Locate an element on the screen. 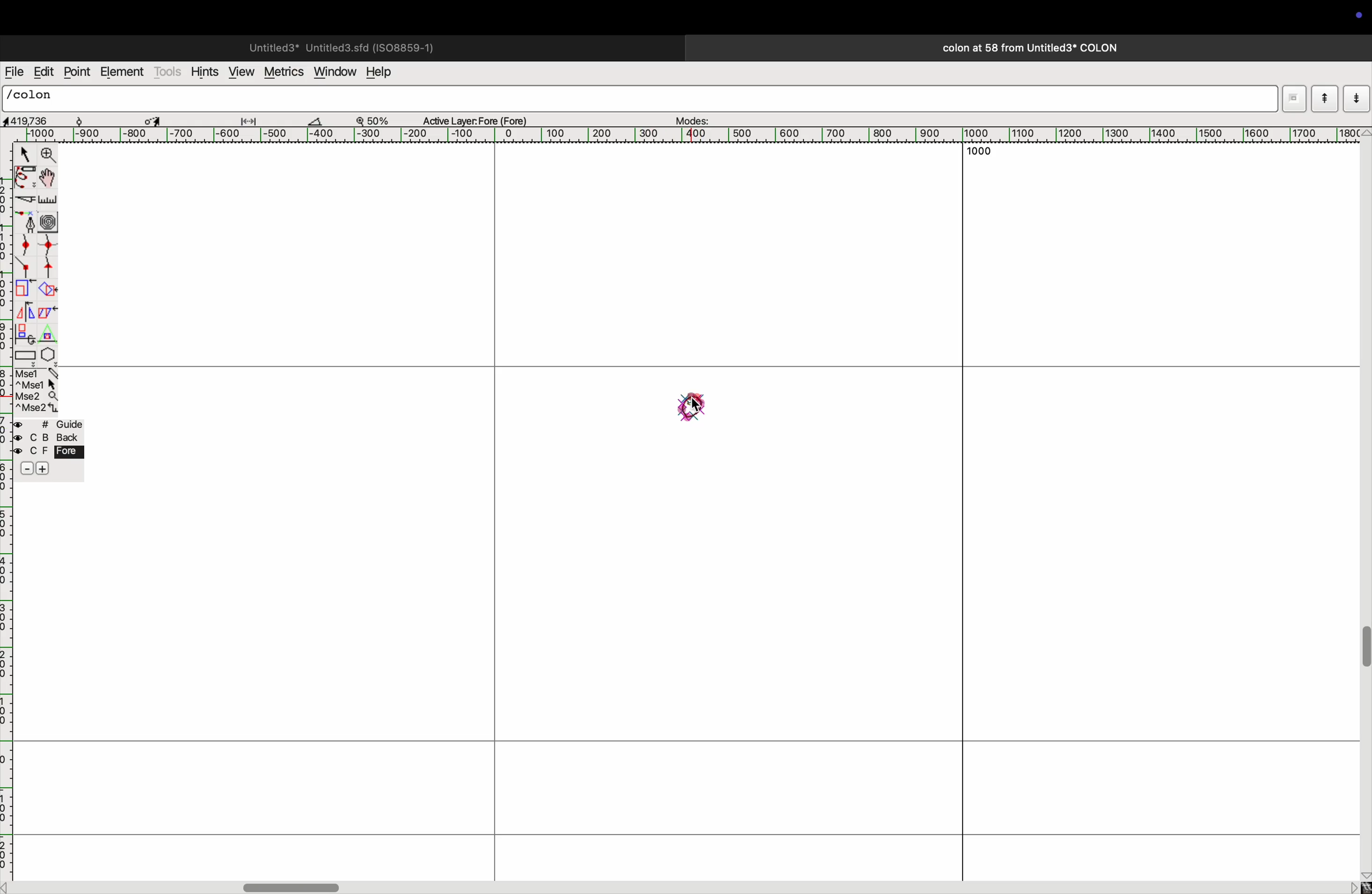  mirror is located at coordinates (28, 311).